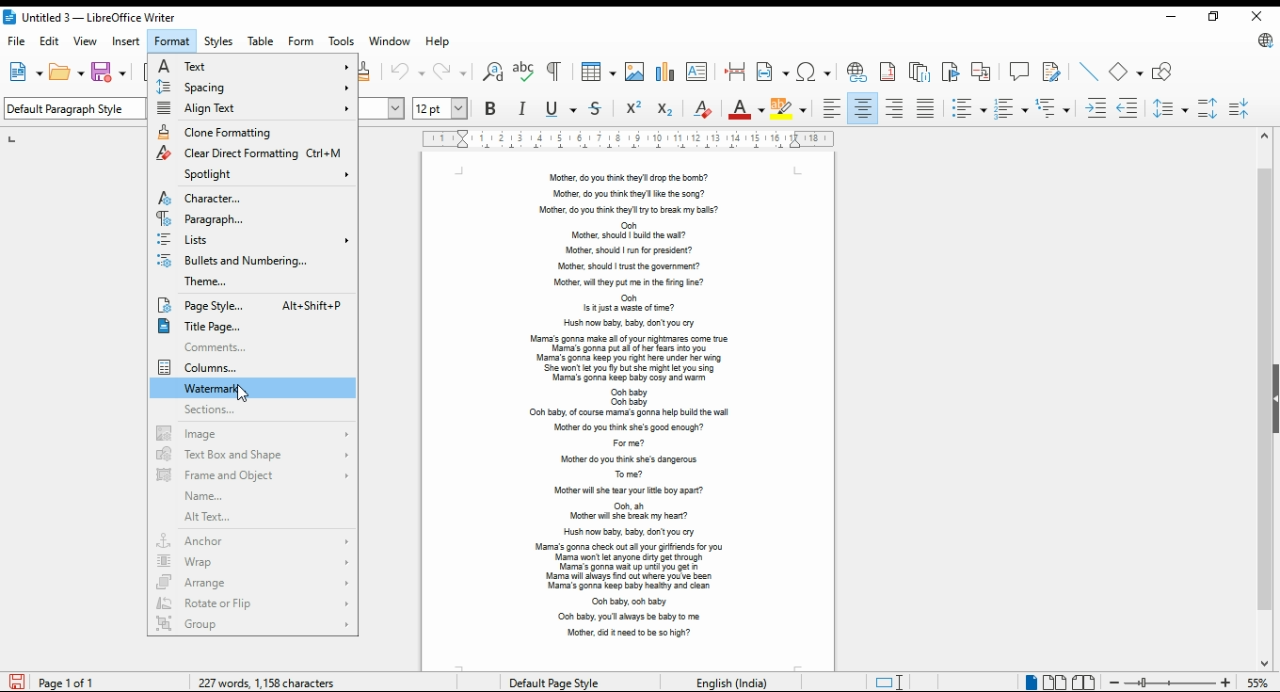 This screenshot has width=1280, height=692. Describe the element at coordinates (832, 108) in the screenshot. I see `align left` at that location.